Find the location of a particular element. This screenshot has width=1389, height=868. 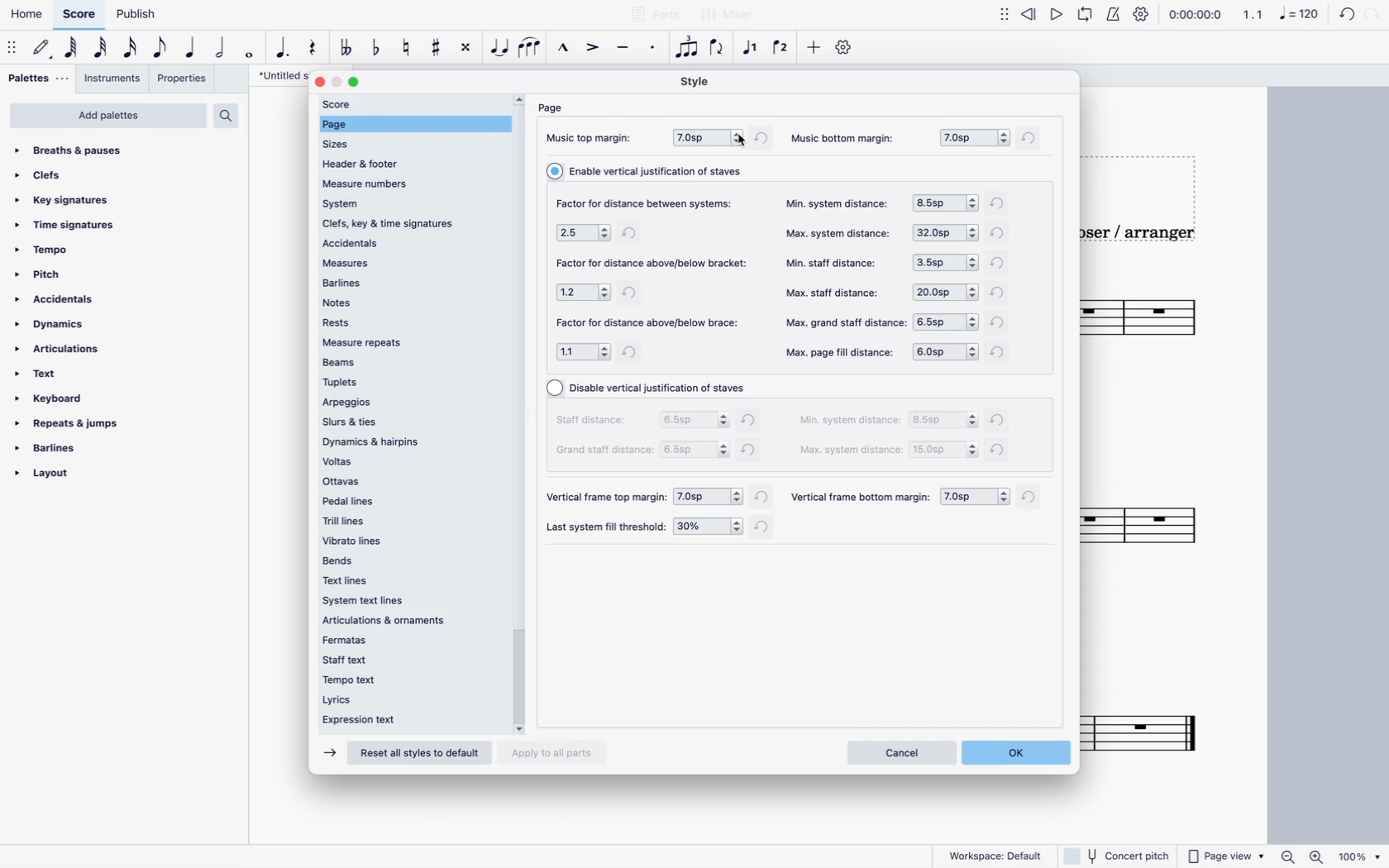

accidentals is located at coordinates (408, 243).